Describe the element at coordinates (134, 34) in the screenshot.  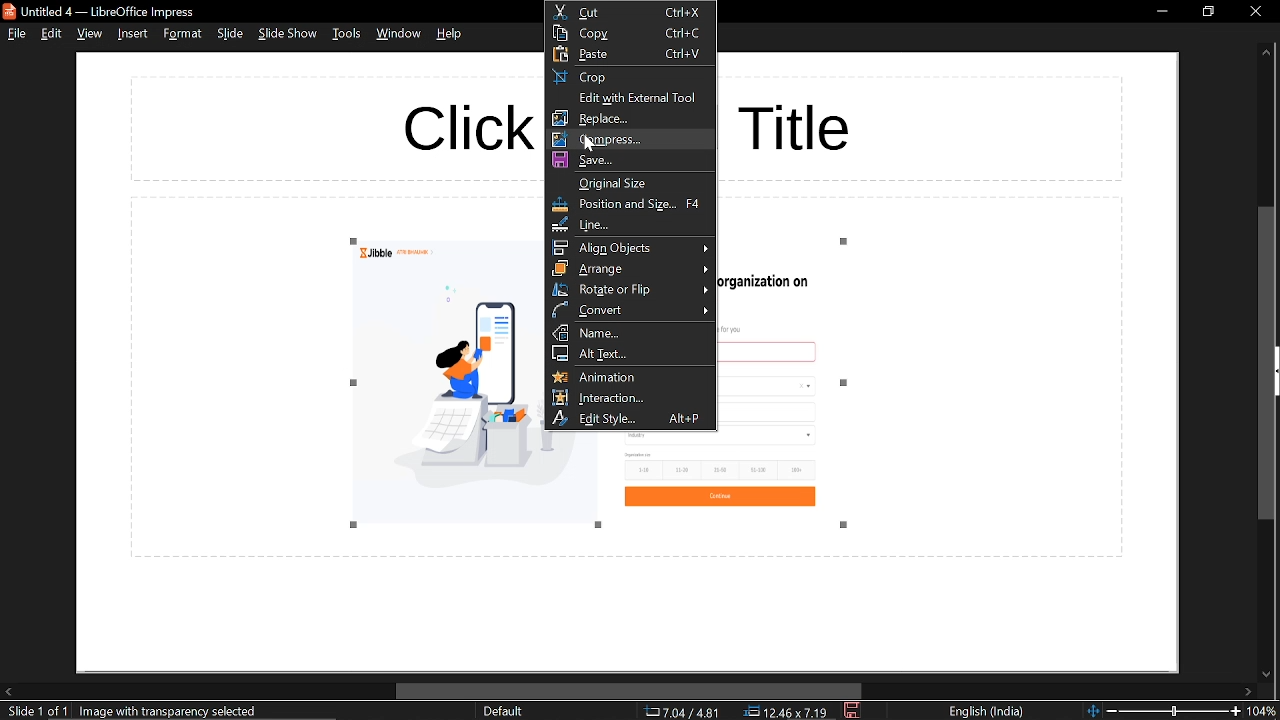
I see `insert` at that location.